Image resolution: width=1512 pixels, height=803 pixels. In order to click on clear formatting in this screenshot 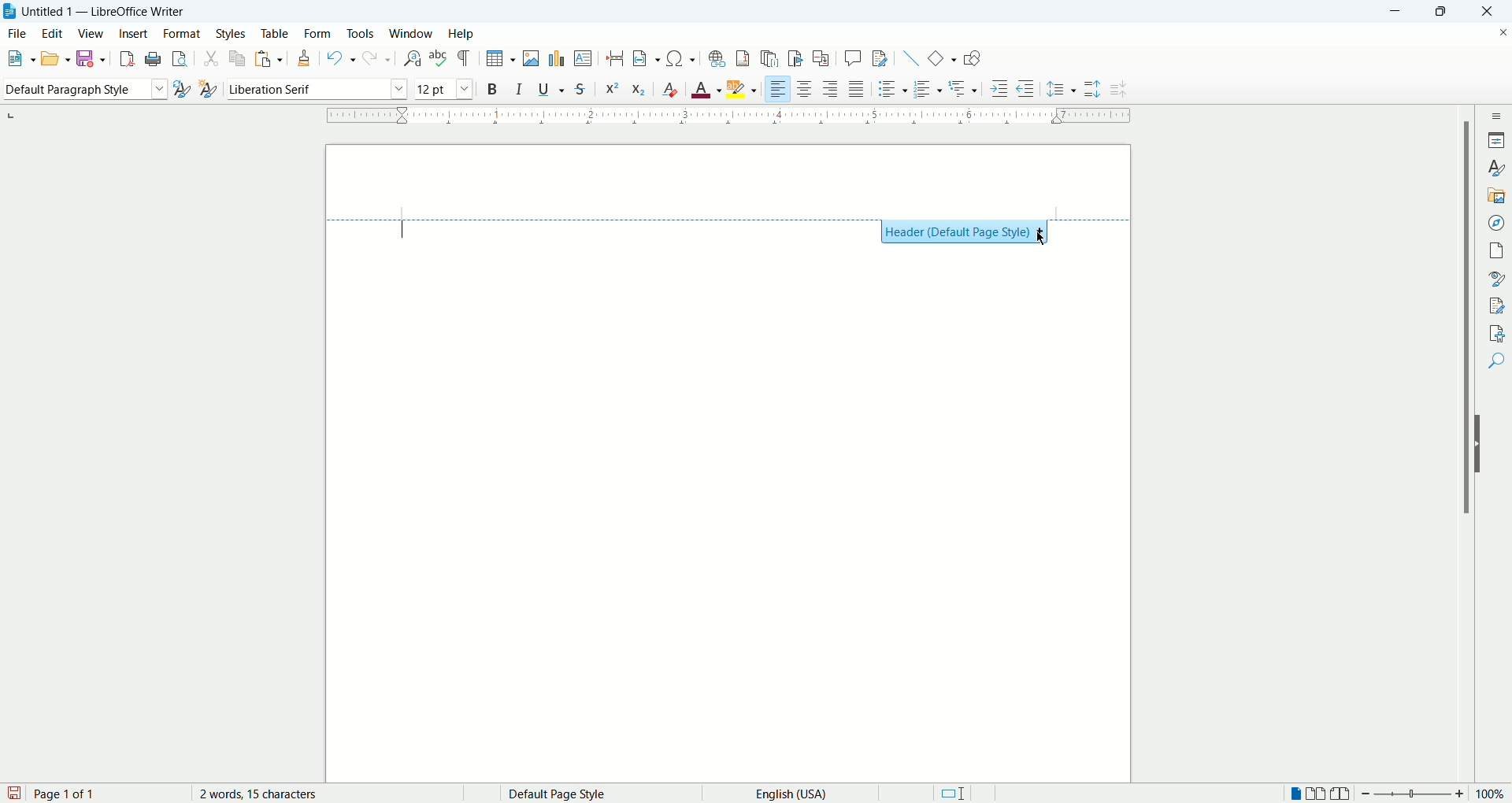, I will do `click(670, 89)`.